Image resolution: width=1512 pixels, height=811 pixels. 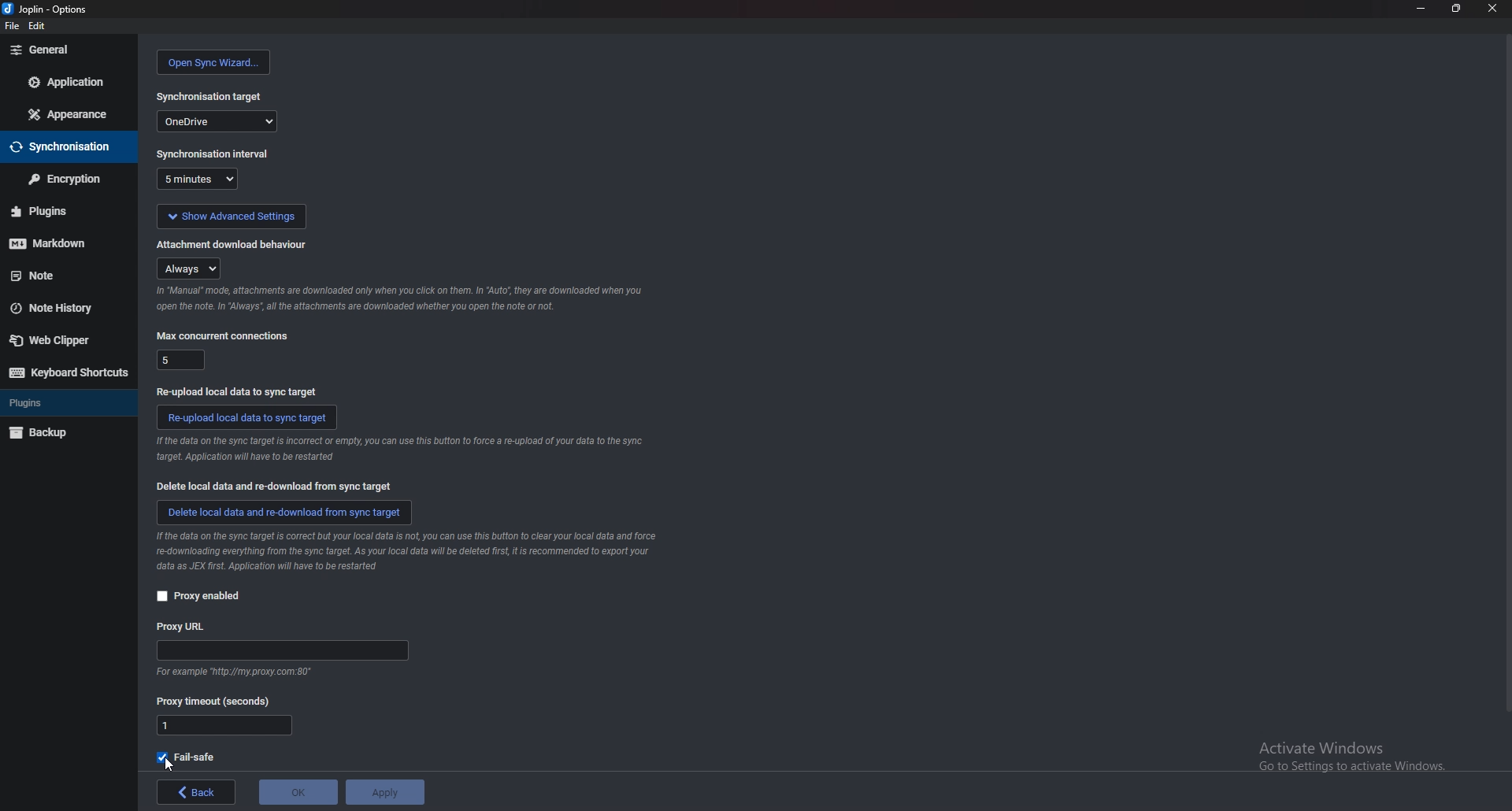 I want to click on re upload local data to sync target, so click(x=238, y=391).